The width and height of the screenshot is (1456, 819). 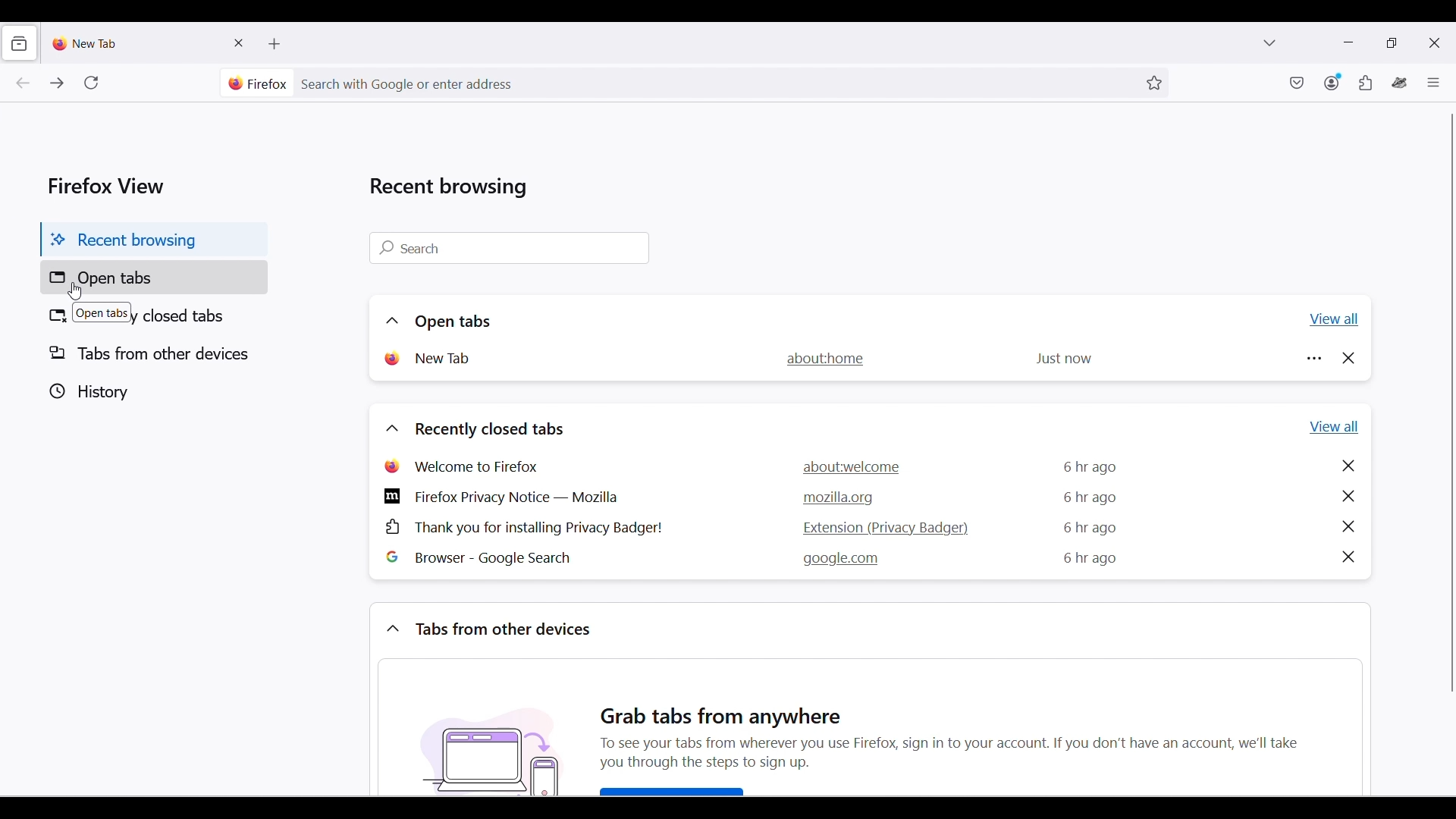 I want to click on Close new tab, so click(x=1348, y=358).